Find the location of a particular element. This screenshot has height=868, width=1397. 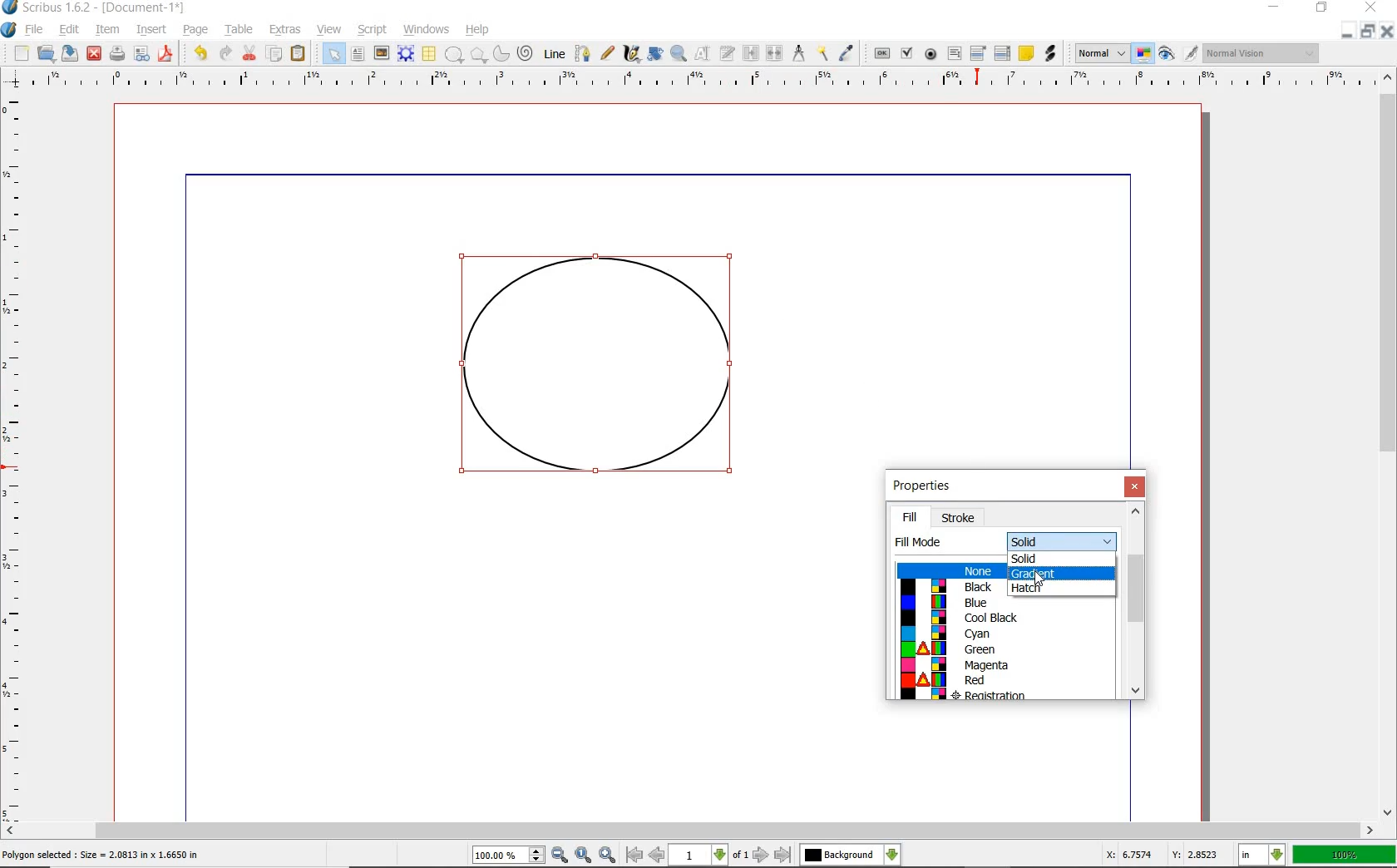

ZOOM FACTOR is located at coordinates (1344, 856).